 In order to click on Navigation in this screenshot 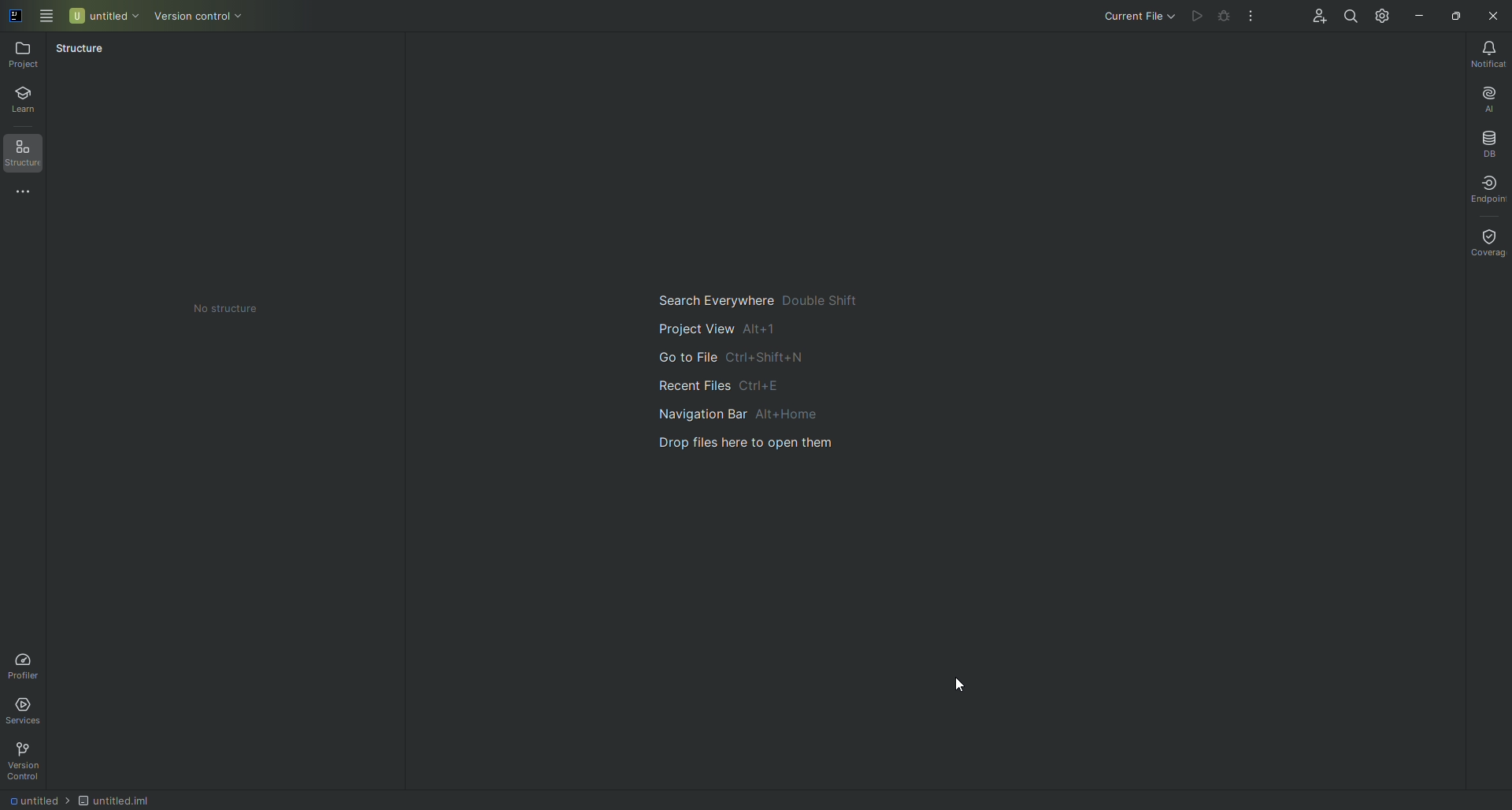, I will do `click(760, 418)`.